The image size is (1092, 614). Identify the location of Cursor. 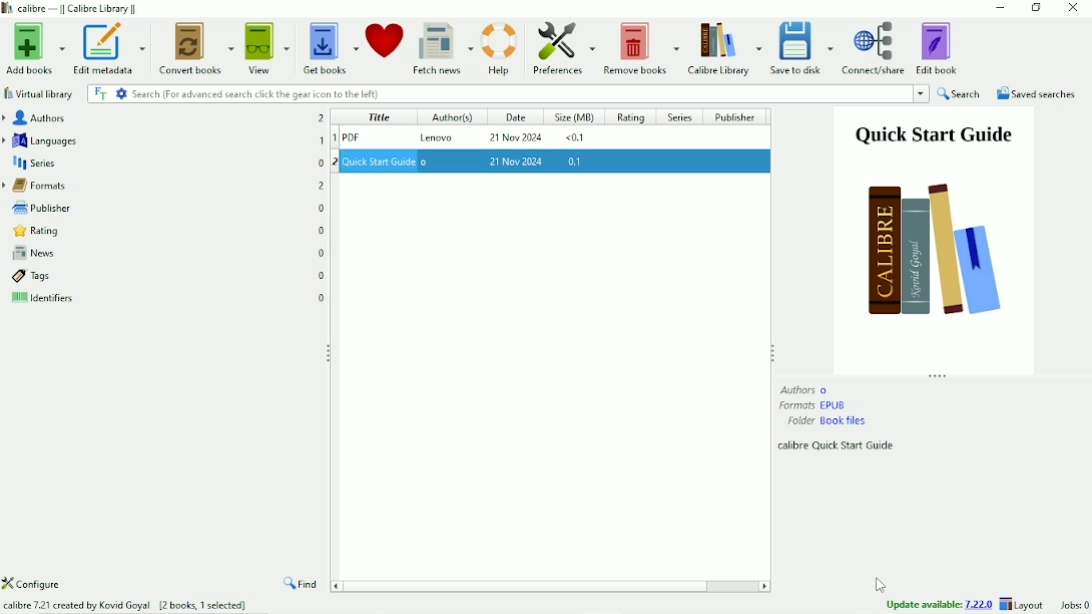
(883, 585).